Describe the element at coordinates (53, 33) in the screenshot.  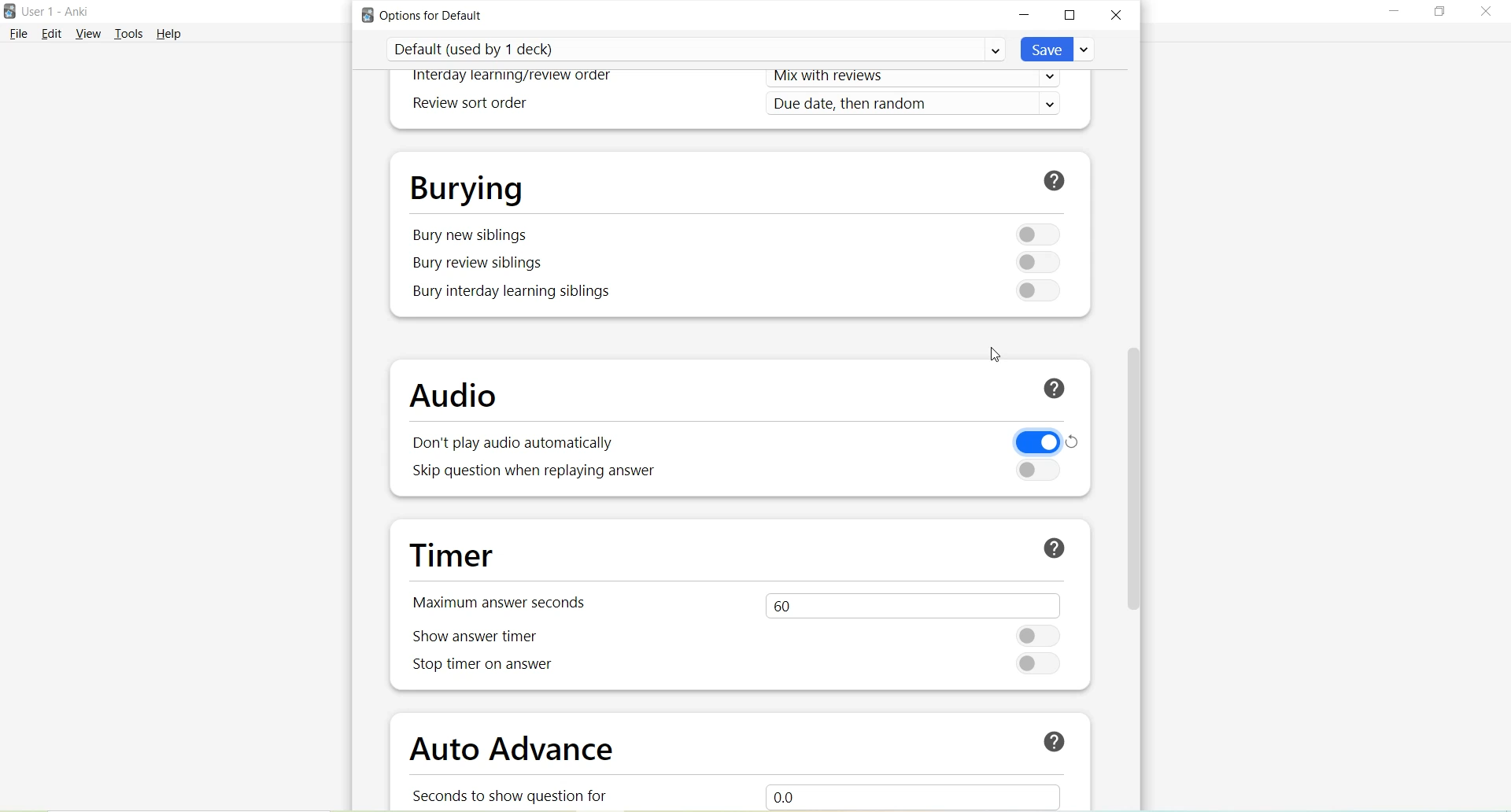
I see `Edit` at that location.